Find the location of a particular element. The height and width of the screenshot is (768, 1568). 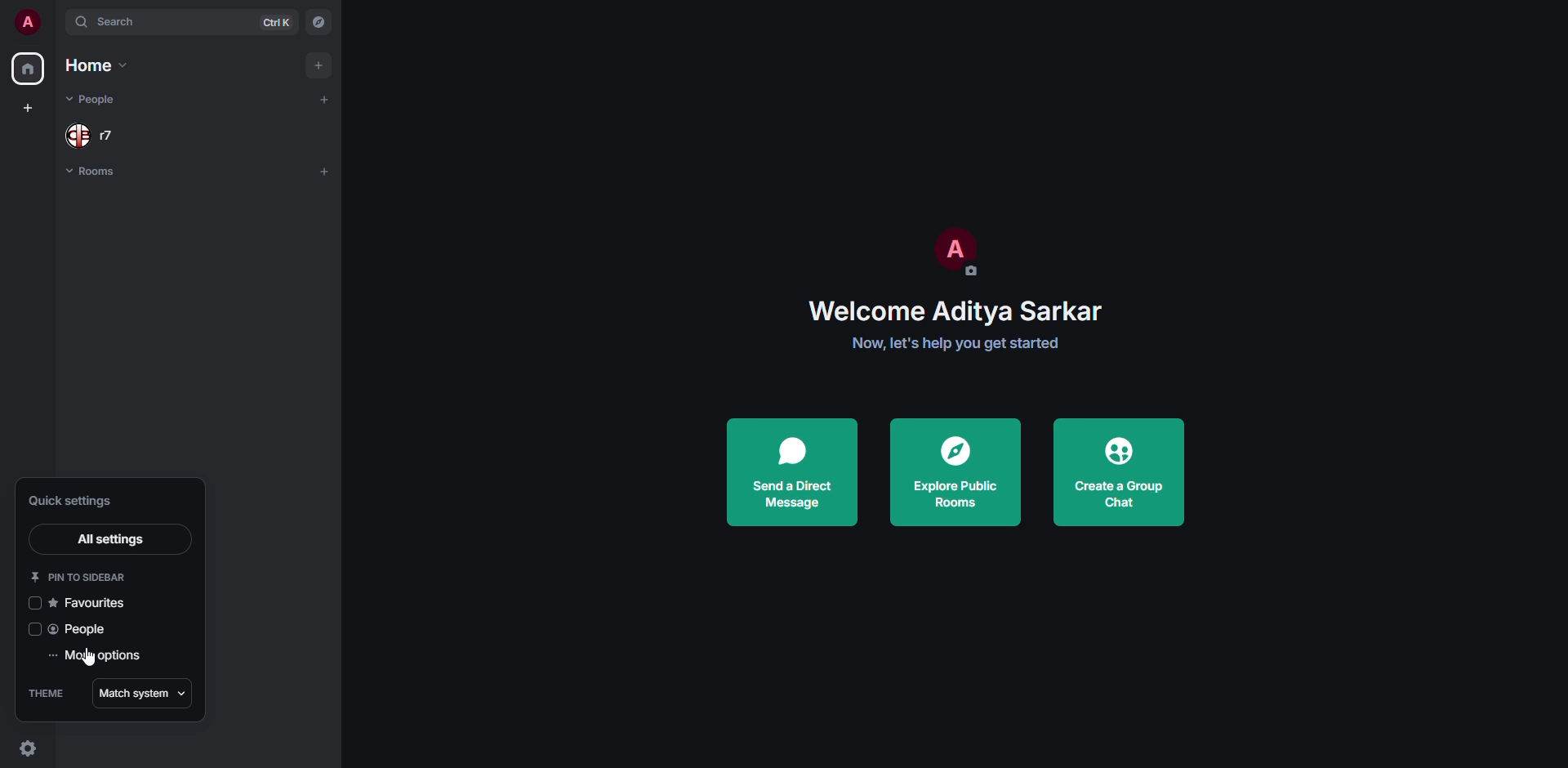

people is located at coordinates (100, 99).